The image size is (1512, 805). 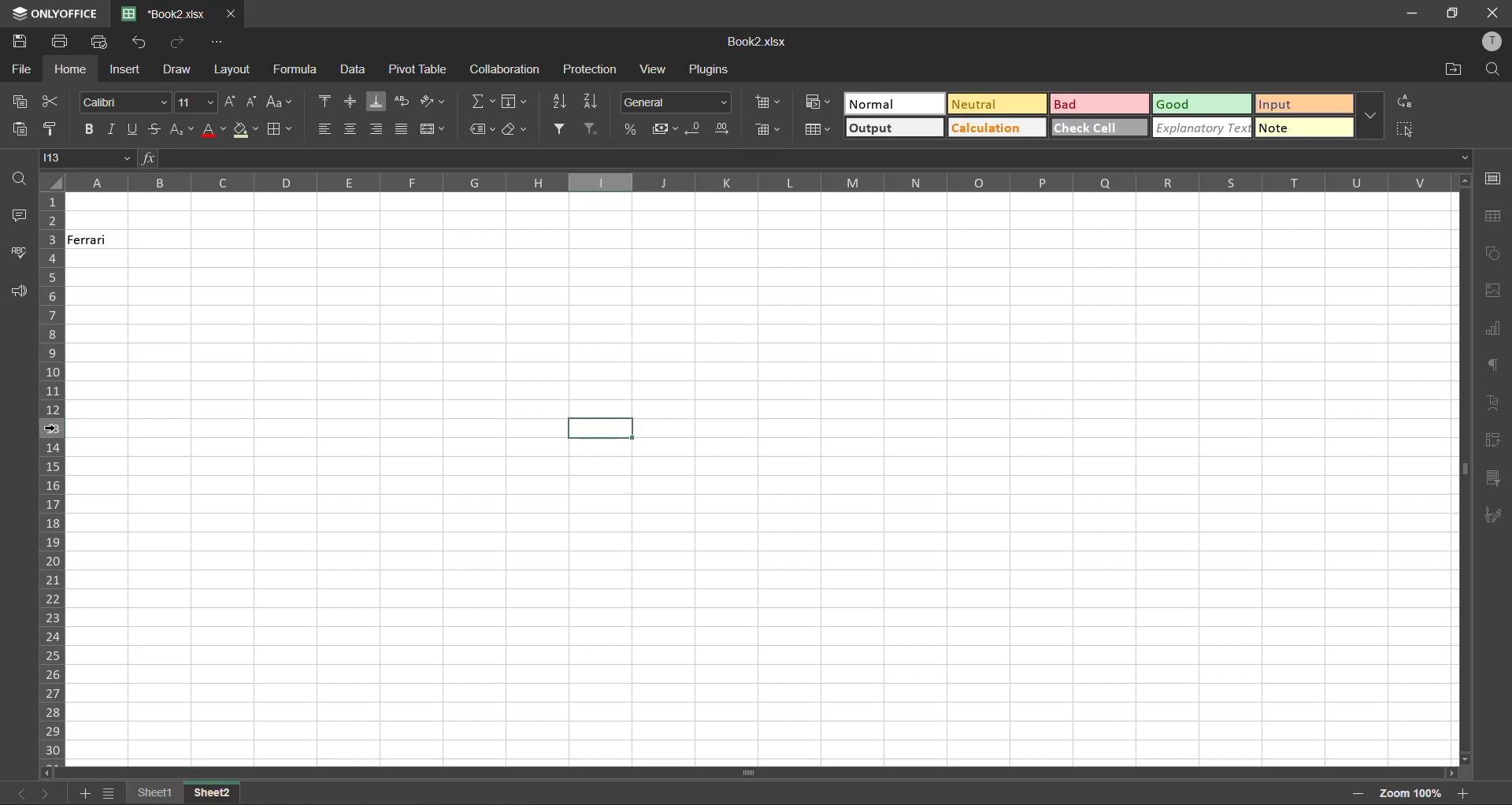 What do you see at coordinates (1496, 403) in the screenshot?
I see `text` at bounding box center [1496, 403].